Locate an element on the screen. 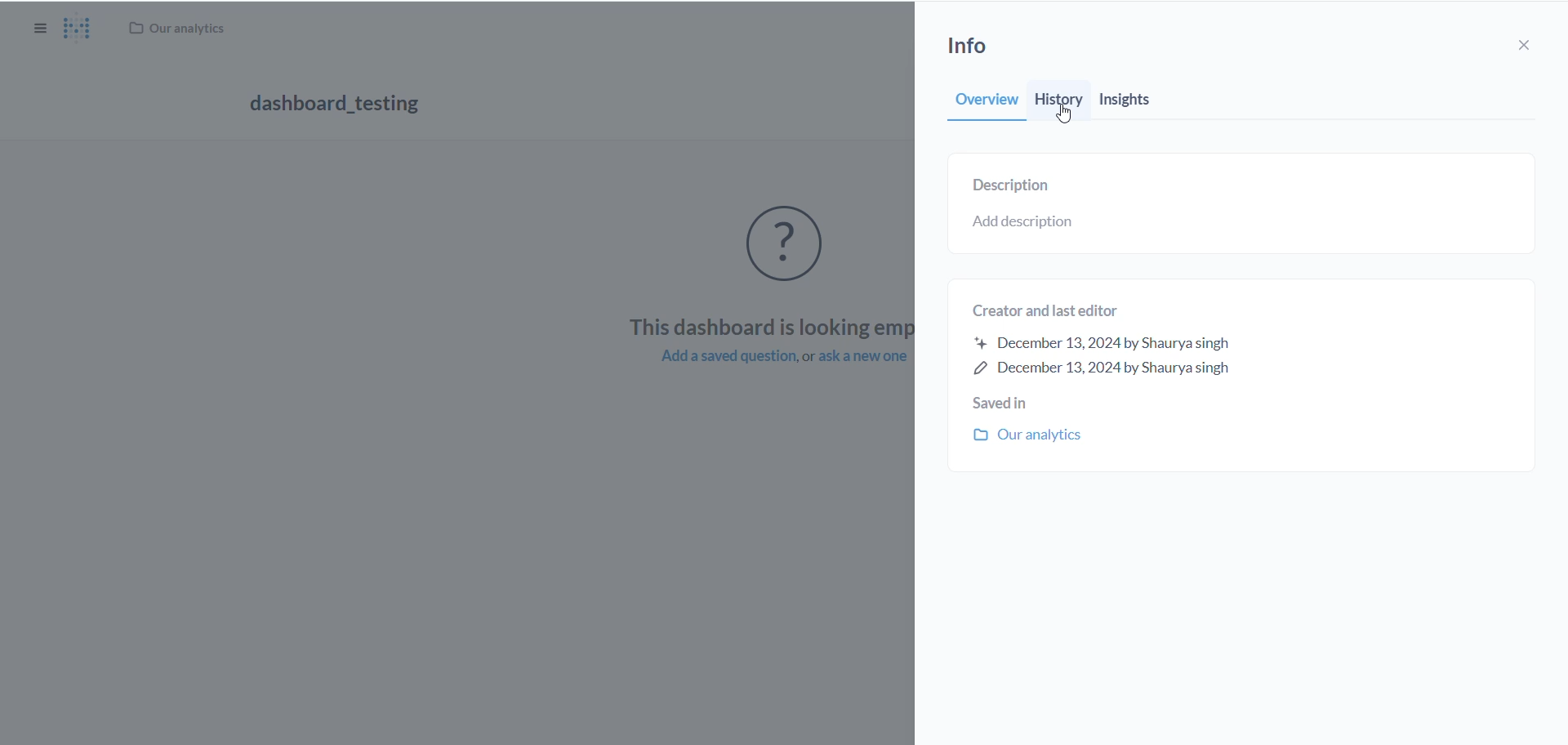 The image size is (1568, 745). Creator and last editor  December 13,2024 by Shaurya singh December 13,2024 by Shaurya singh is located at coordinates (1134, 341).